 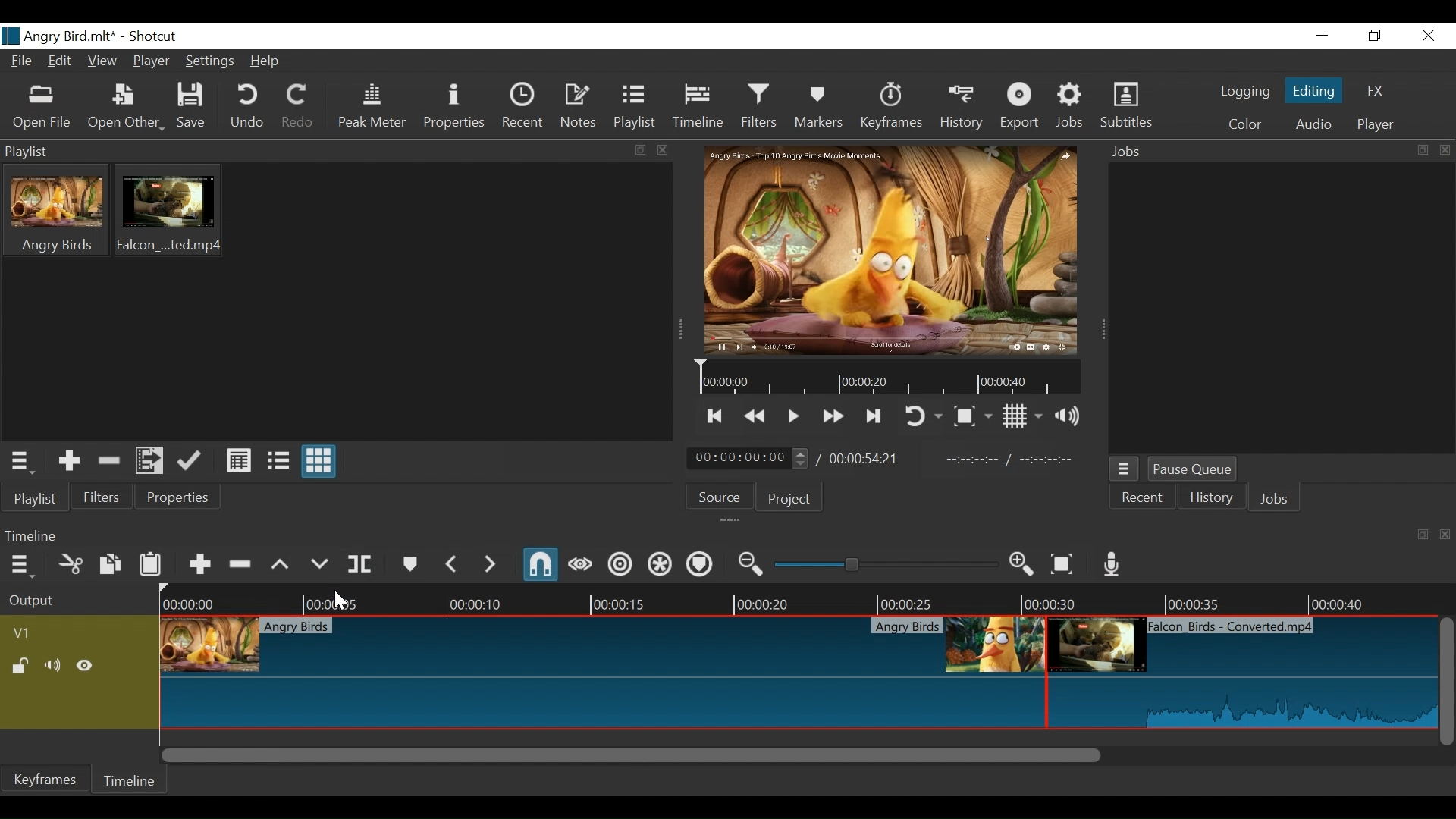 What do you see at coordinates (62, 598) in the screenshot?
I see `Output` at bounding box center [62, 598].